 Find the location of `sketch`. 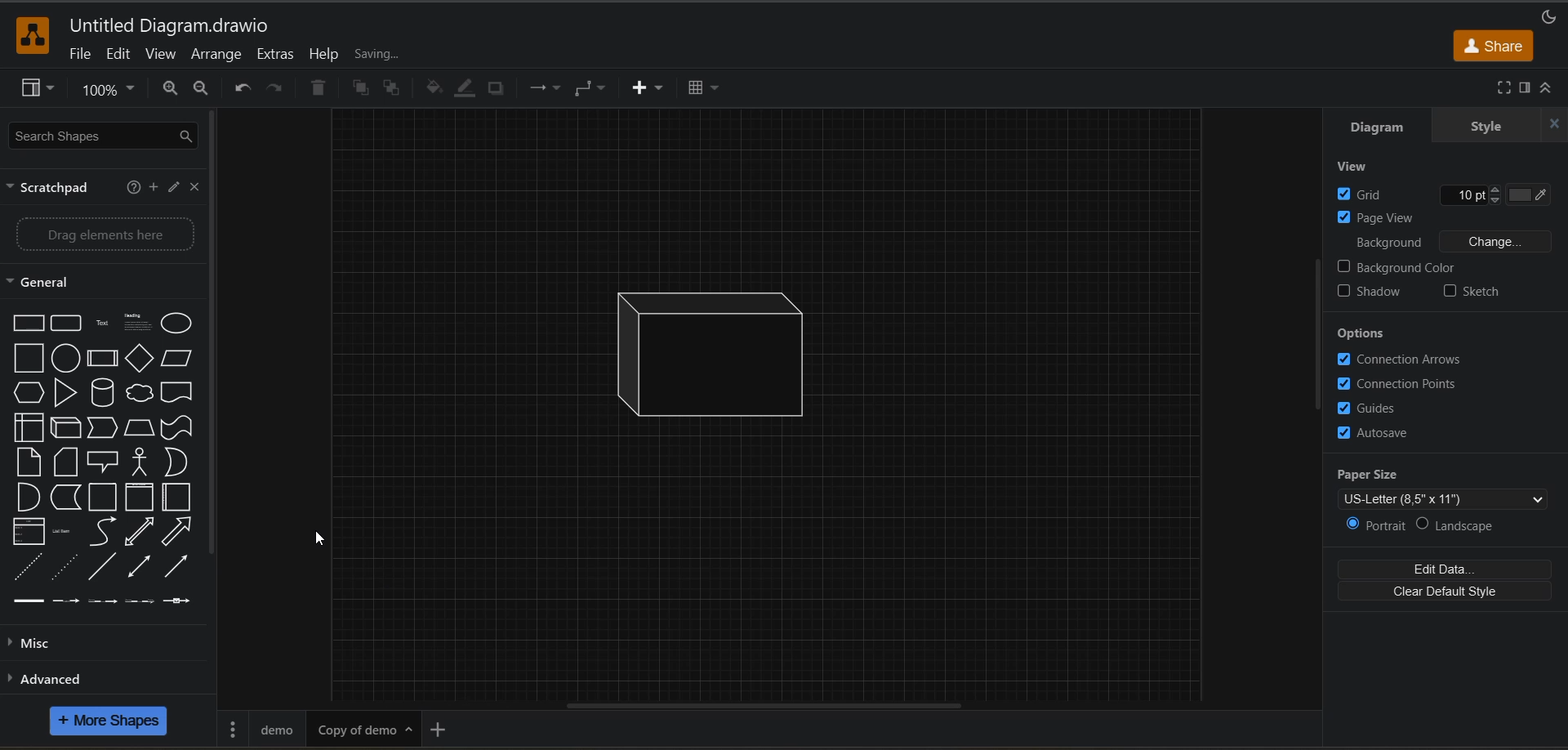

sketch is located at coordinates (1474, 294).